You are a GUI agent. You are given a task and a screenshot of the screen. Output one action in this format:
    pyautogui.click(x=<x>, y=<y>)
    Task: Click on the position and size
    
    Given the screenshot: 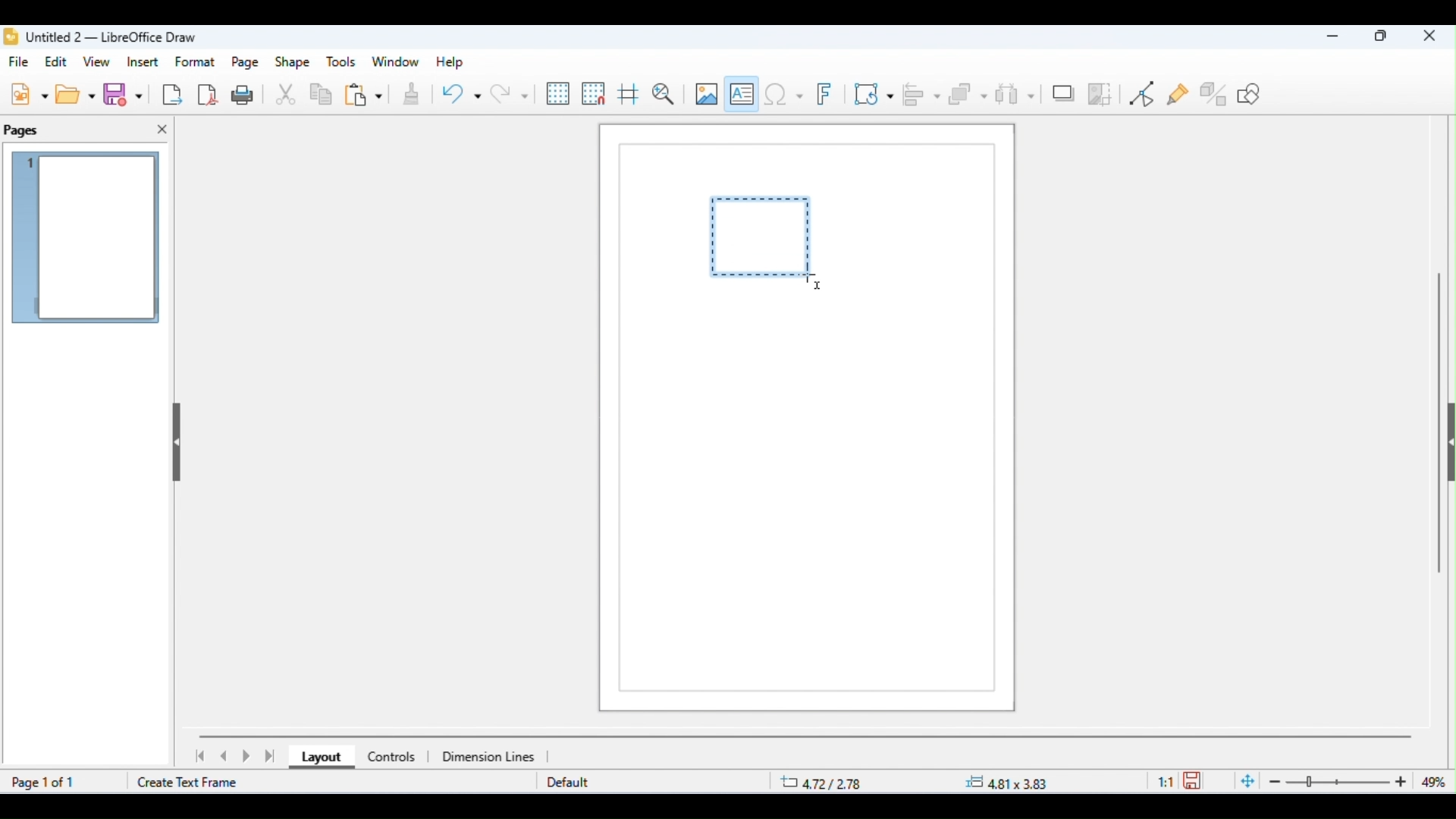 What is the action you would take?
    pyautogui.click(x=916, y=783)
    